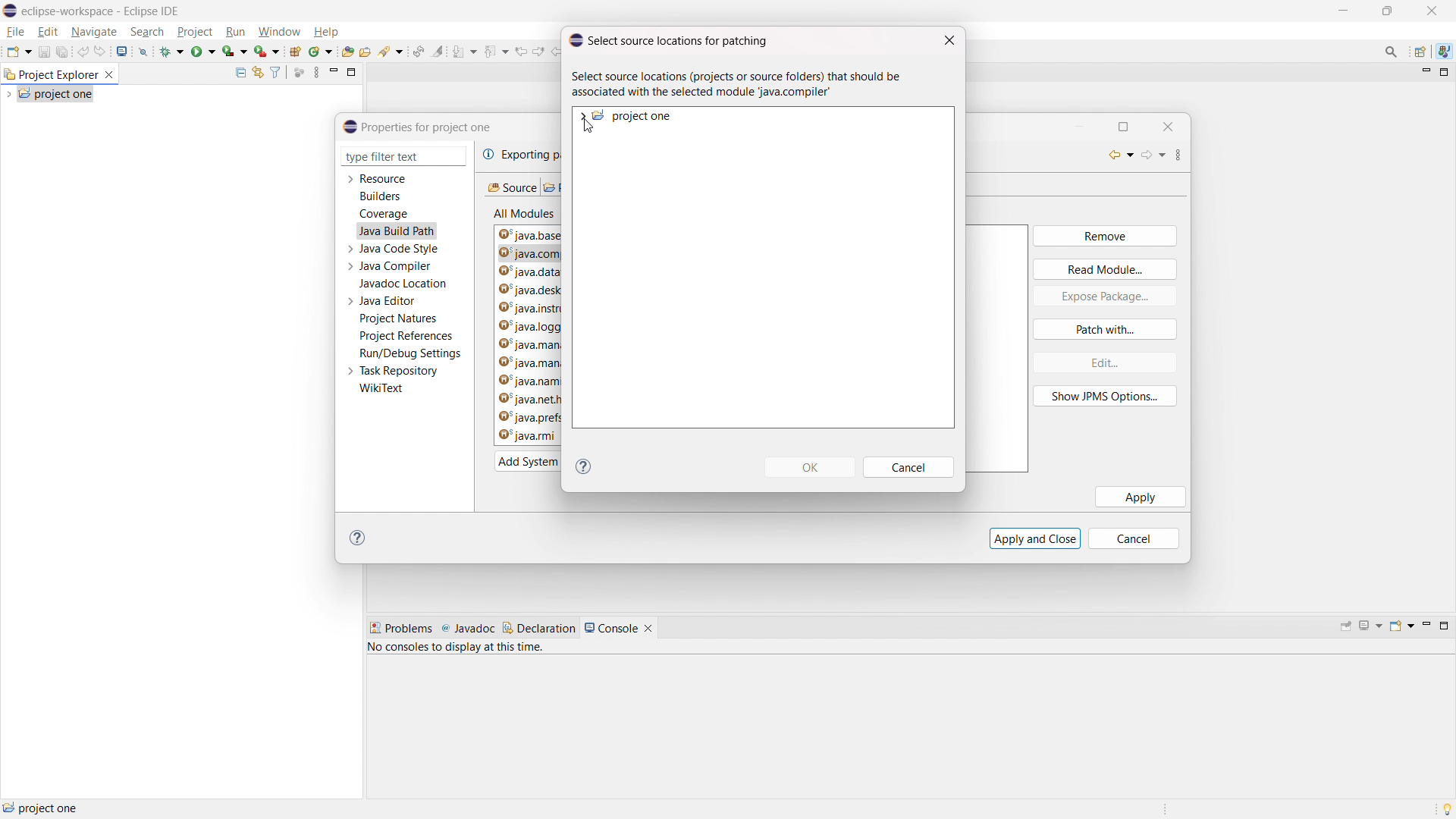  I want to click on save all, so click(63, 52).